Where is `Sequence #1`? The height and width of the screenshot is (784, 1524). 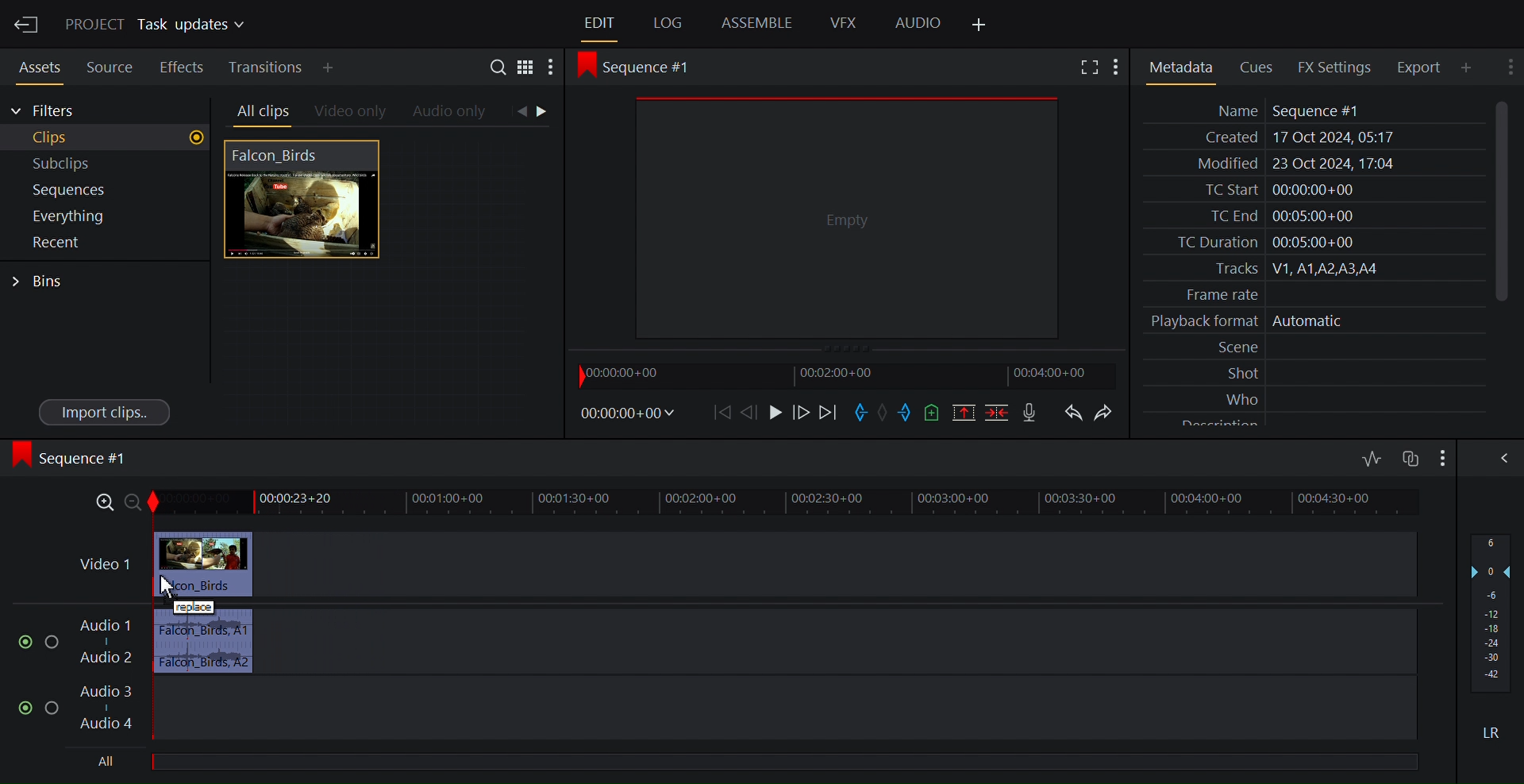
Sequence #1 is located at coordinates (75, 458).